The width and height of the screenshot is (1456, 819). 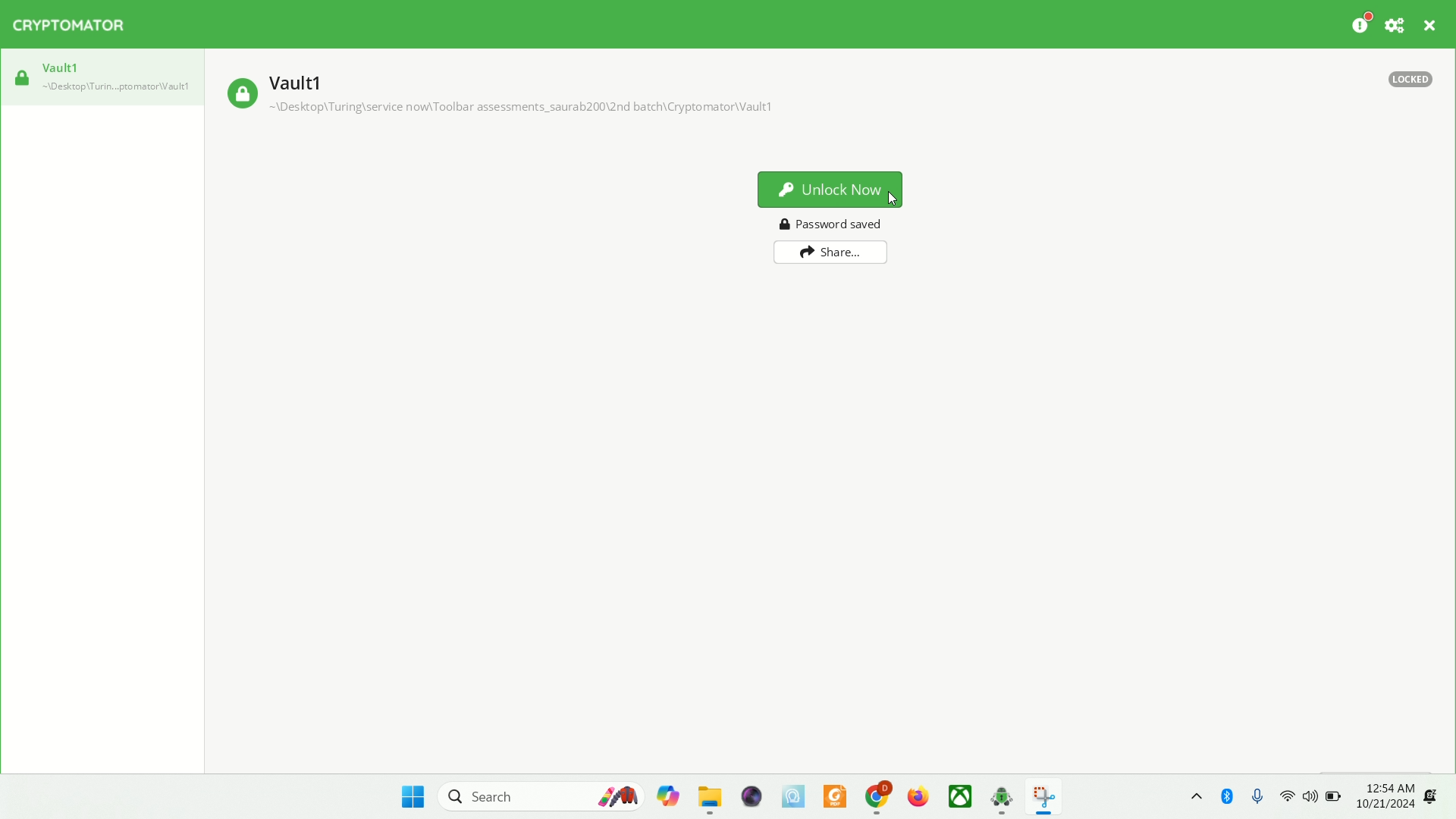 What do you see at coordinates (1430, 26) in the screenshot?
I see `CLOSE` at bounding box center [1430, 26].